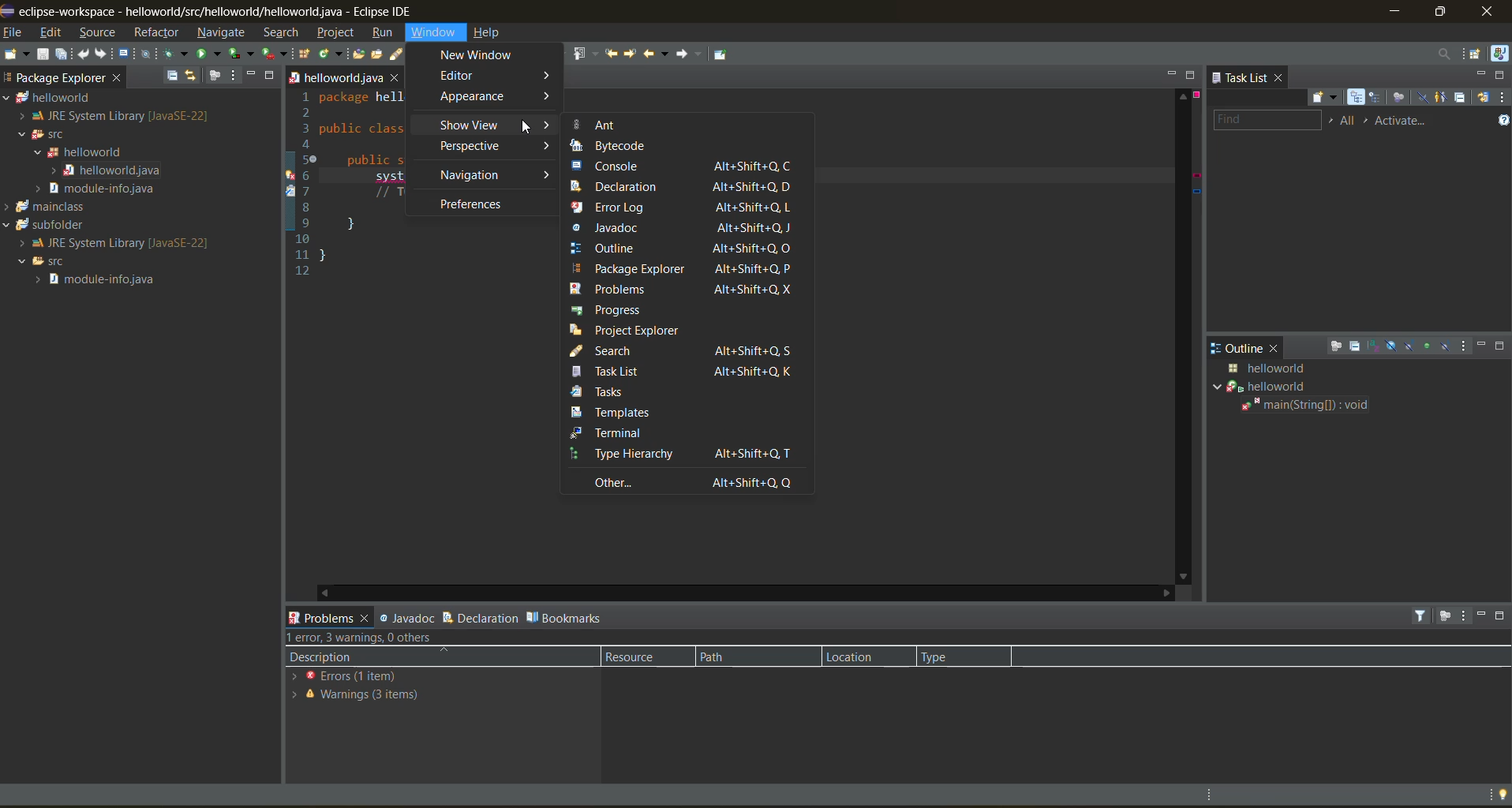 Image resolution: width=1512 pixels, height=808 pixels. Describe the element at coordinates (488, 203) in the screenshot. I see `preferences` at that location.